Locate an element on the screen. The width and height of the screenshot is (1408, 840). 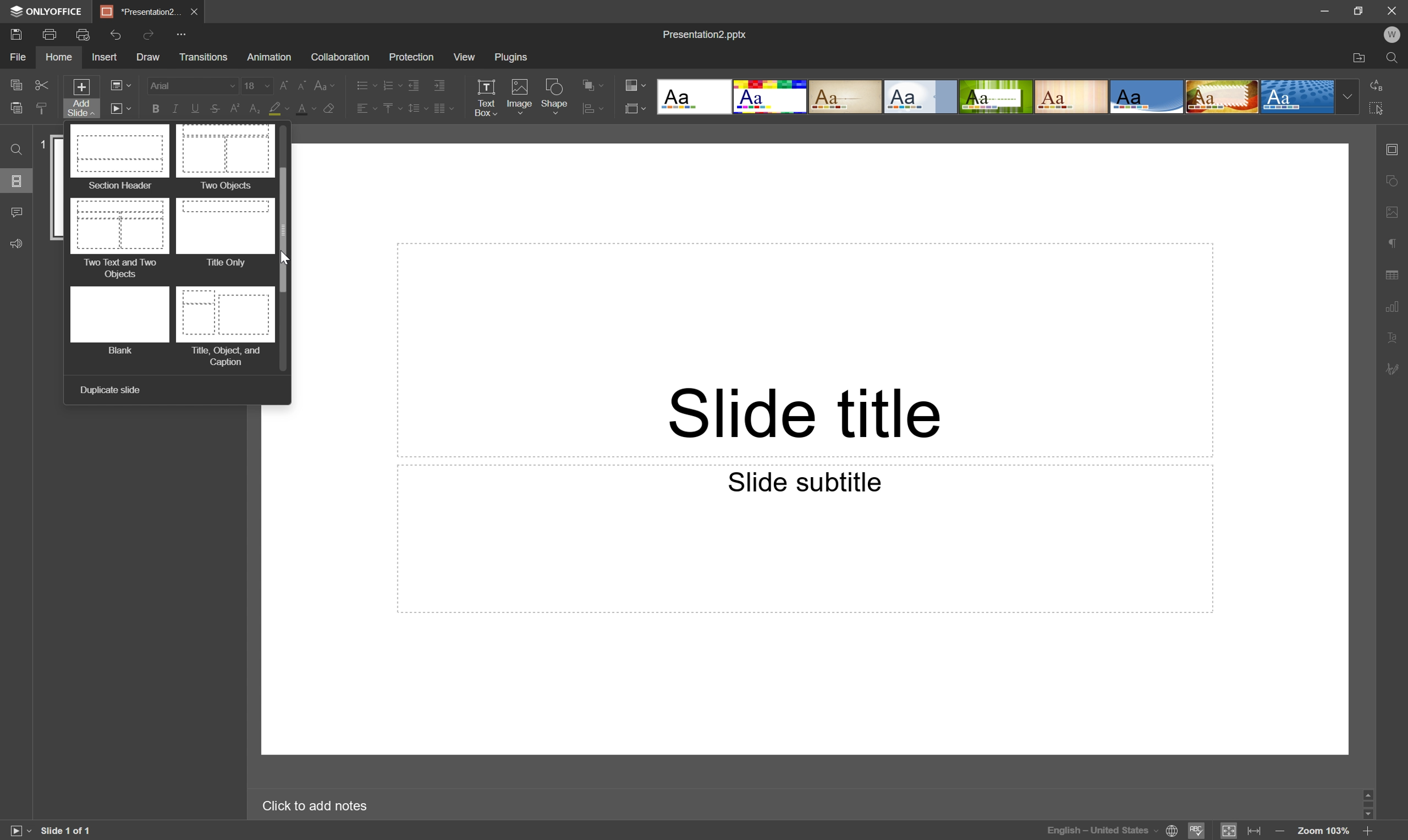
Arrange shape is located at coordinates (596, 108).